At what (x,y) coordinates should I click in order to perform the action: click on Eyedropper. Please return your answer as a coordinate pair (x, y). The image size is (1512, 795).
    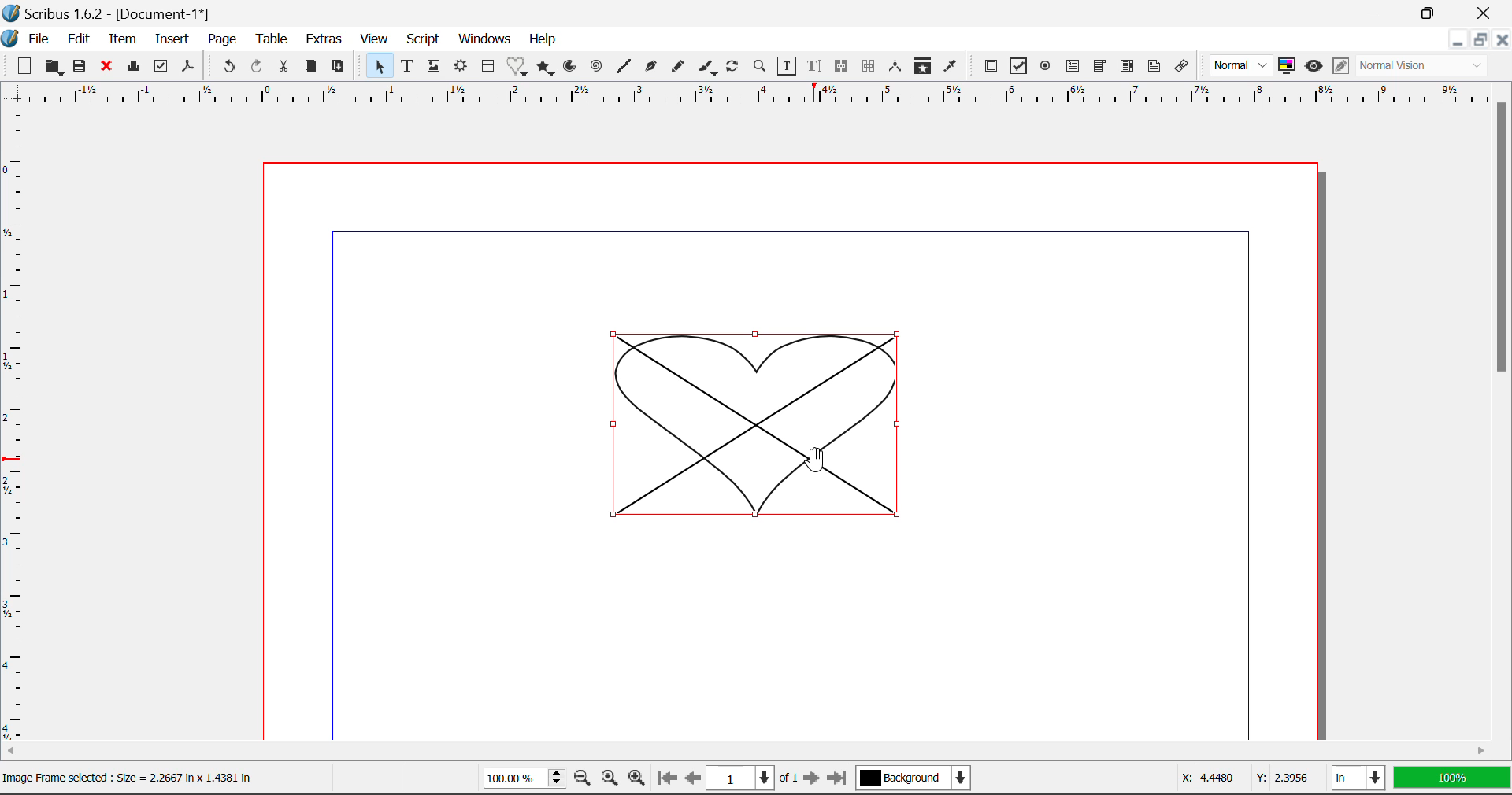
    Looking at the image, I should click on (951, 66).